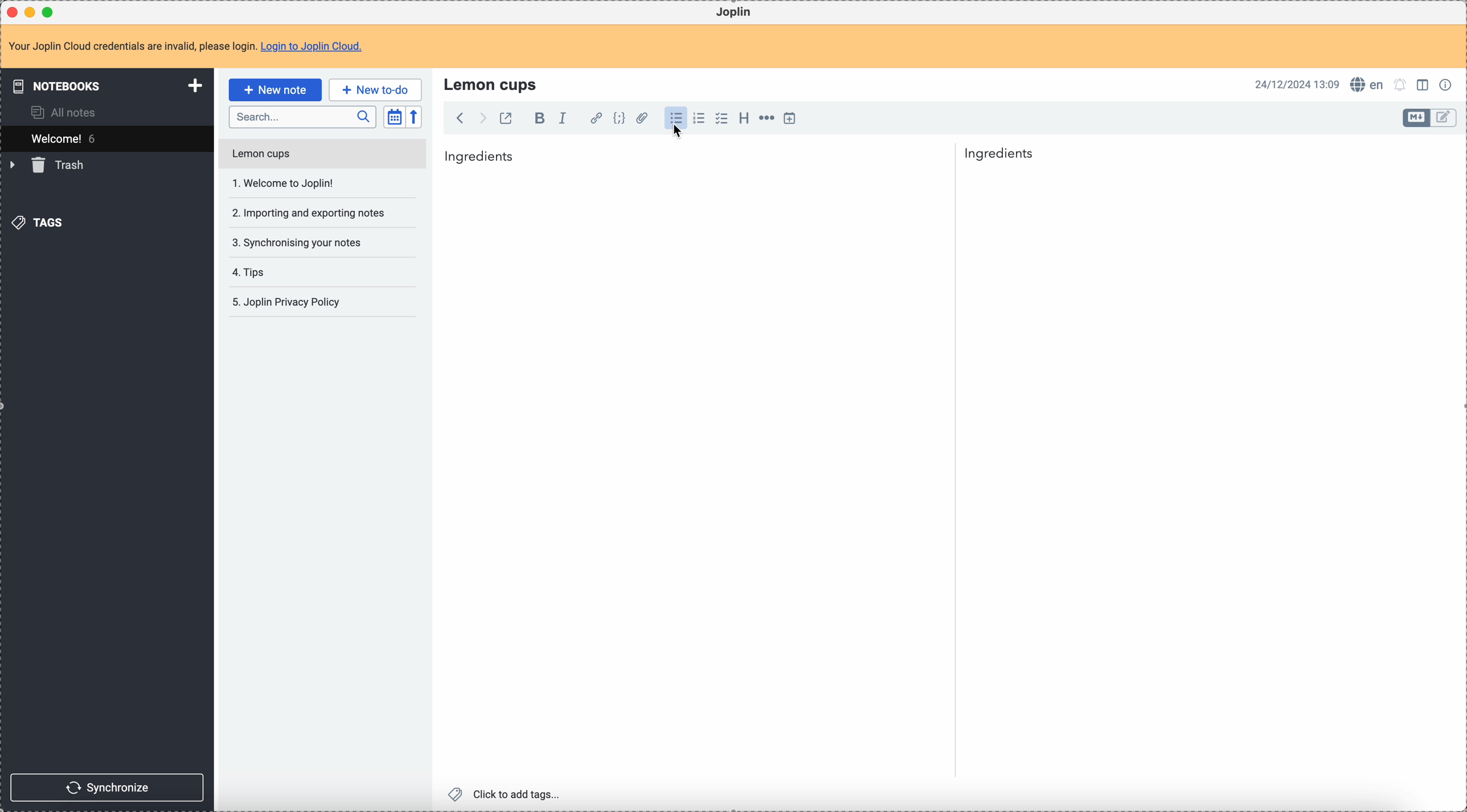 The height and width of the screenshot is (812, 1467). I want to click on lemon cups, so click(493, 84).